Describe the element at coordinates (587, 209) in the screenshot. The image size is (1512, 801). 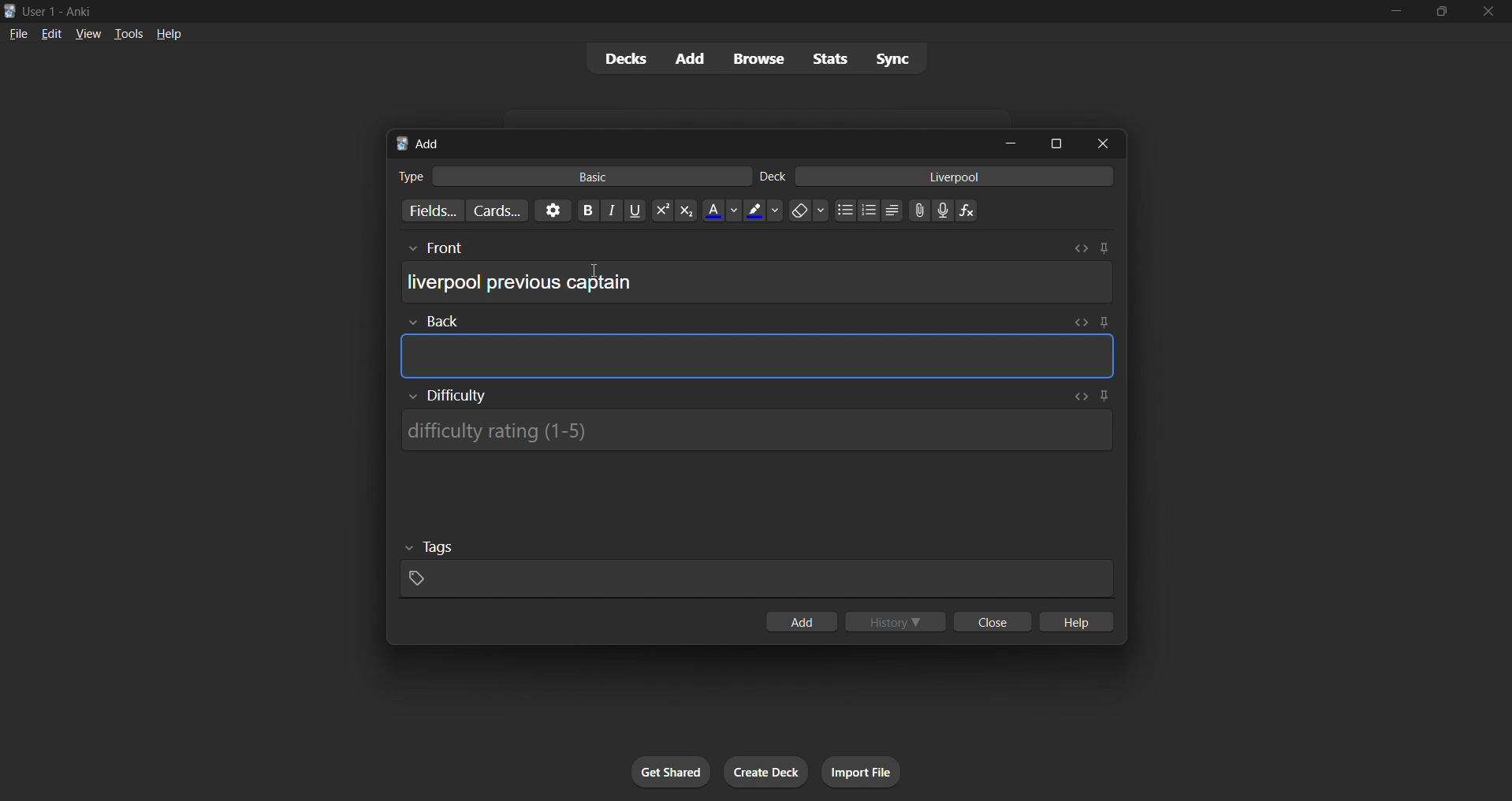
I see `Bold` at that location.